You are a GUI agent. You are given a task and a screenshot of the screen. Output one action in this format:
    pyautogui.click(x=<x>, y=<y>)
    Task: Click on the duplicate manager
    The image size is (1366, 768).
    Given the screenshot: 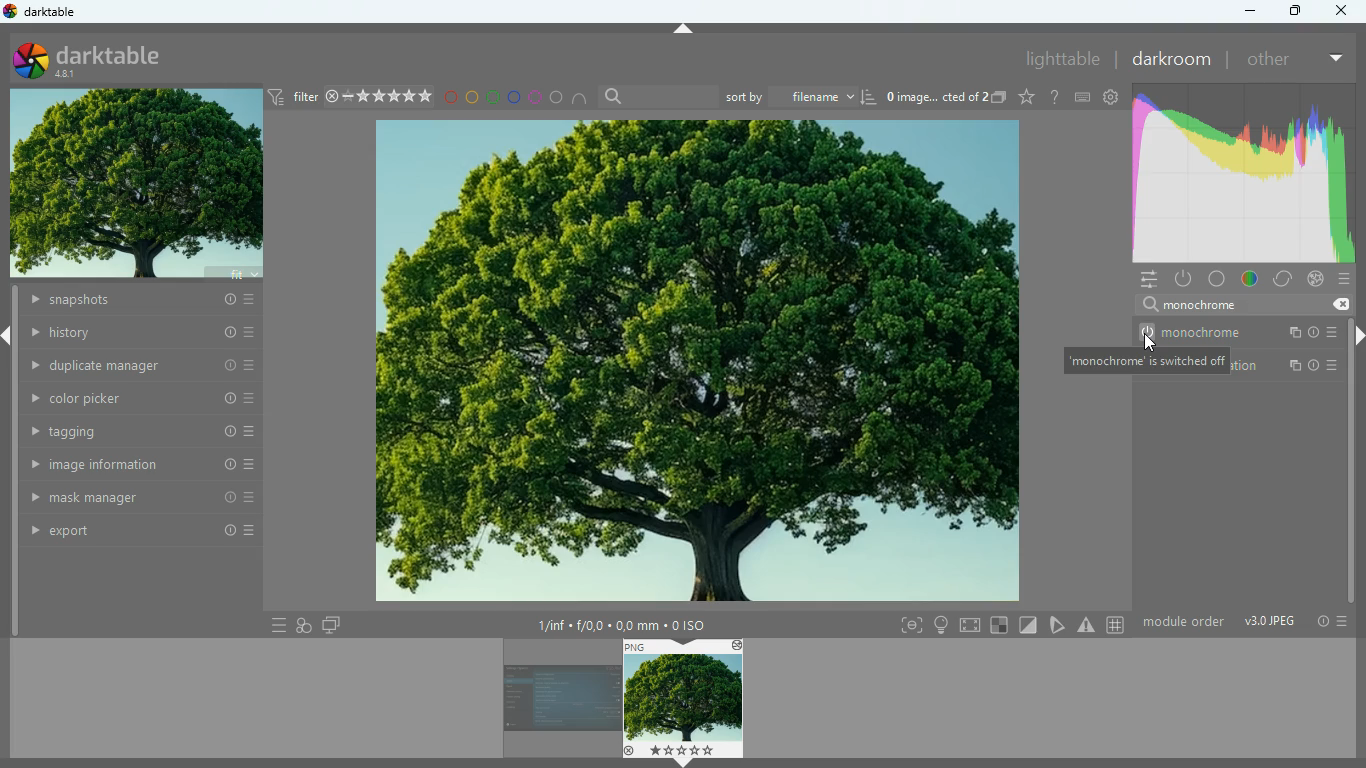 What is the action you would take?
    pyautogui.click(x=141, y=365)
    